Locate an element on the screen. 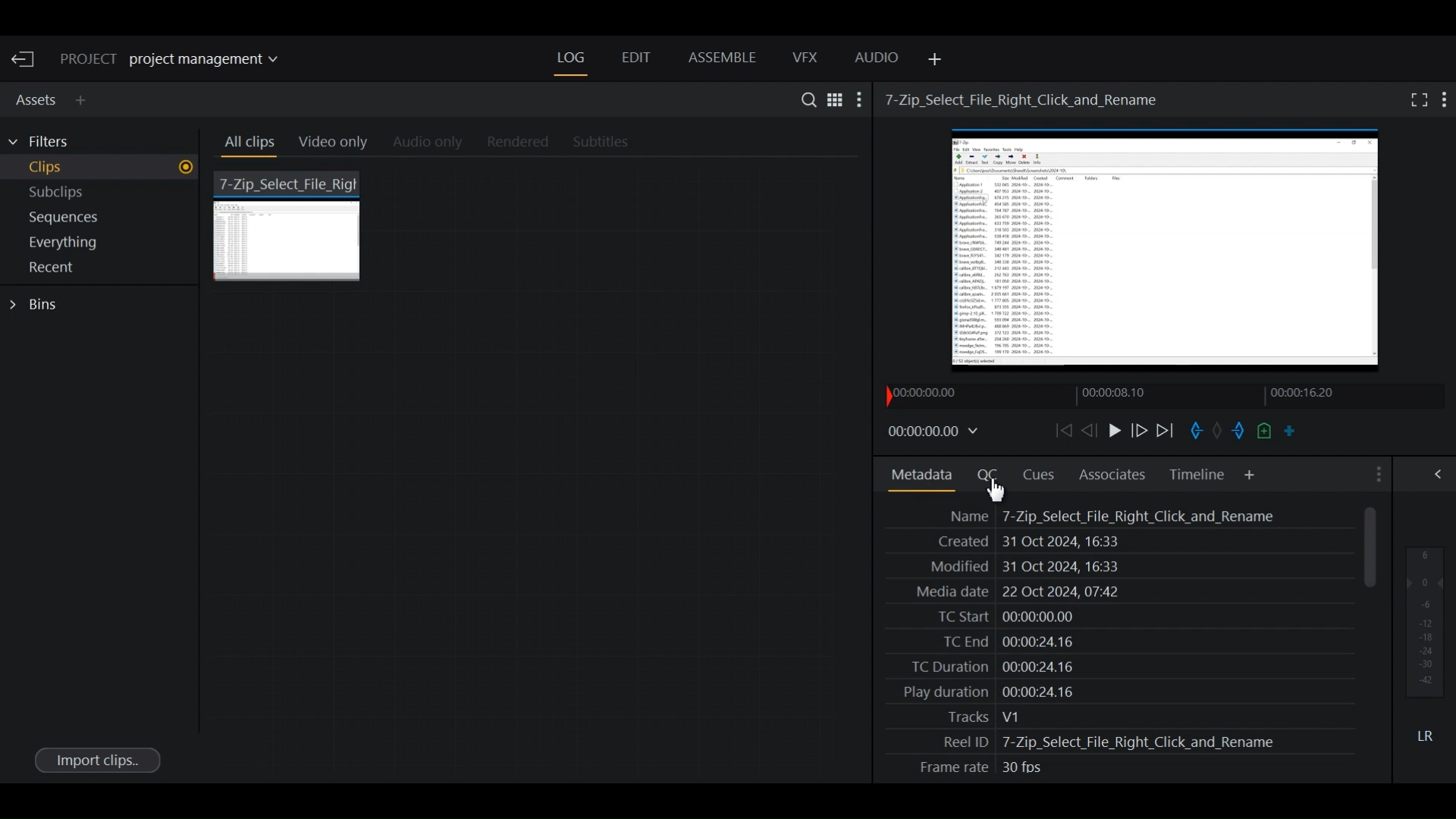  Name is located at coordinates (1102, 517).